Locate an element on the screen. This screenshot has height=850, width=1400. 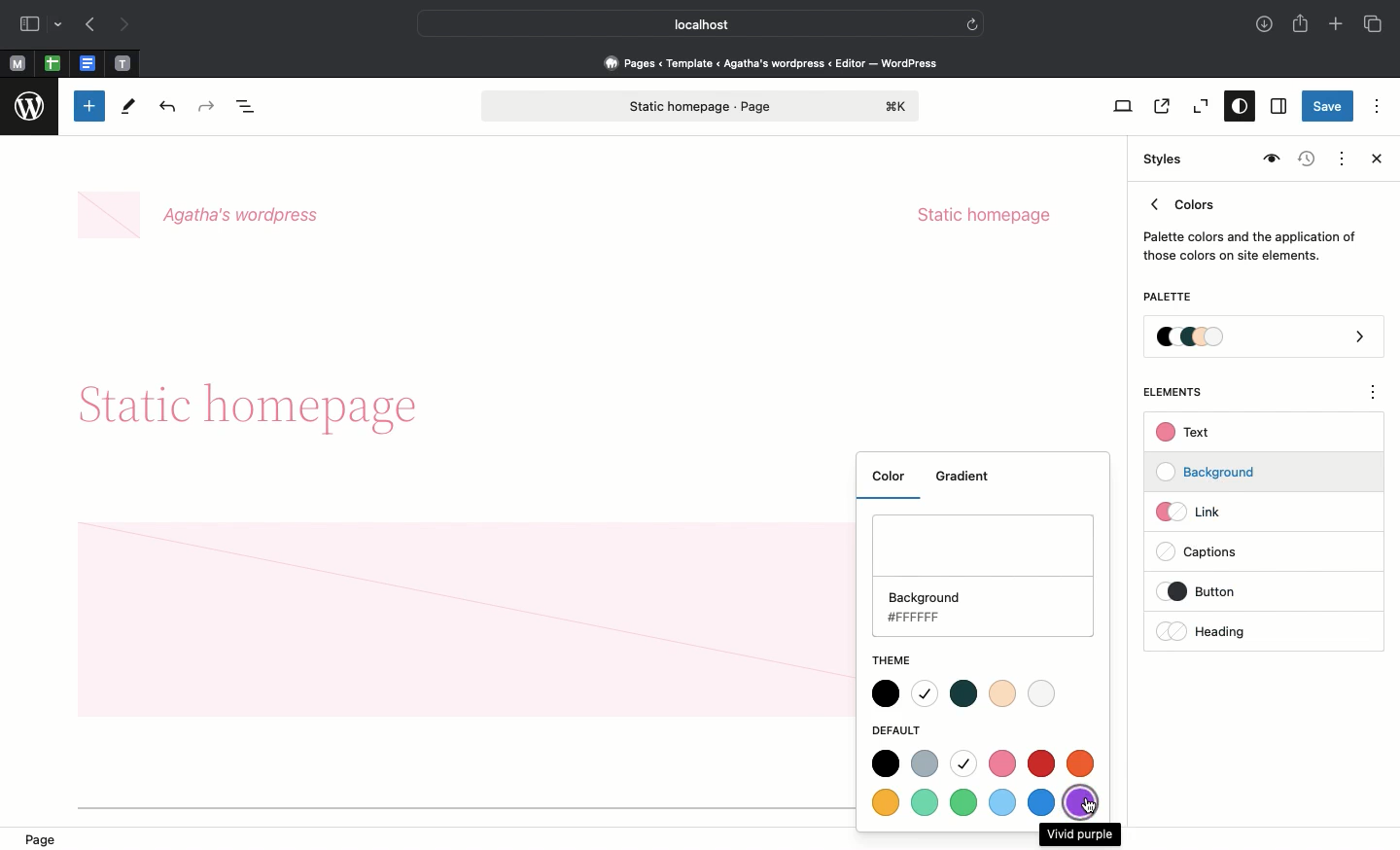
Page is located at coordinates (701, 106).